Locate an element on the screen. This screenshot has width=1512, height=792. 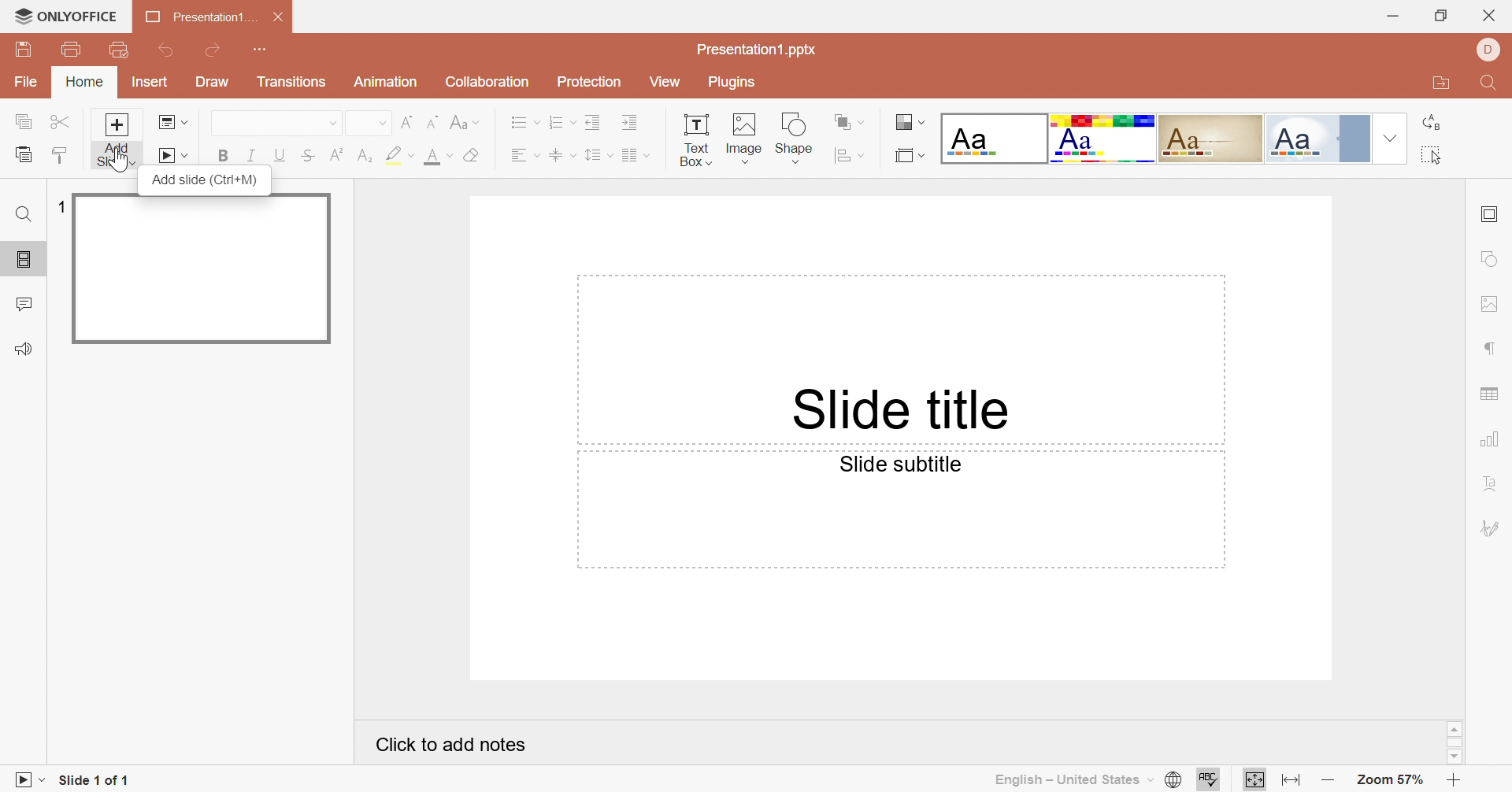
Draw is located at coordinates (212, 81).